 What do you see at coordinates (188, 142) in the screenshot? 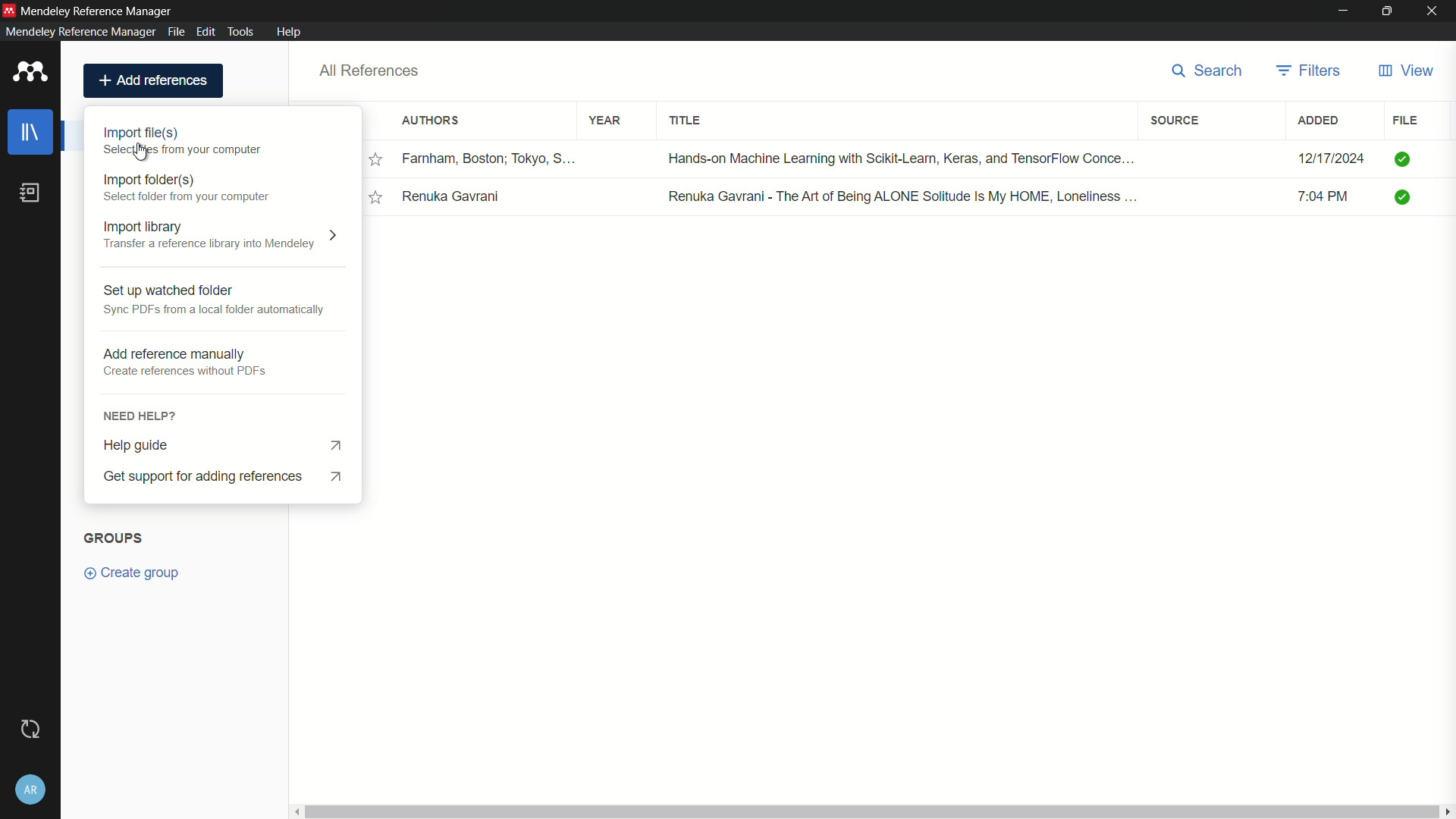
I see `import files(s): Select files from your computer` at bounding box center [188, 142].